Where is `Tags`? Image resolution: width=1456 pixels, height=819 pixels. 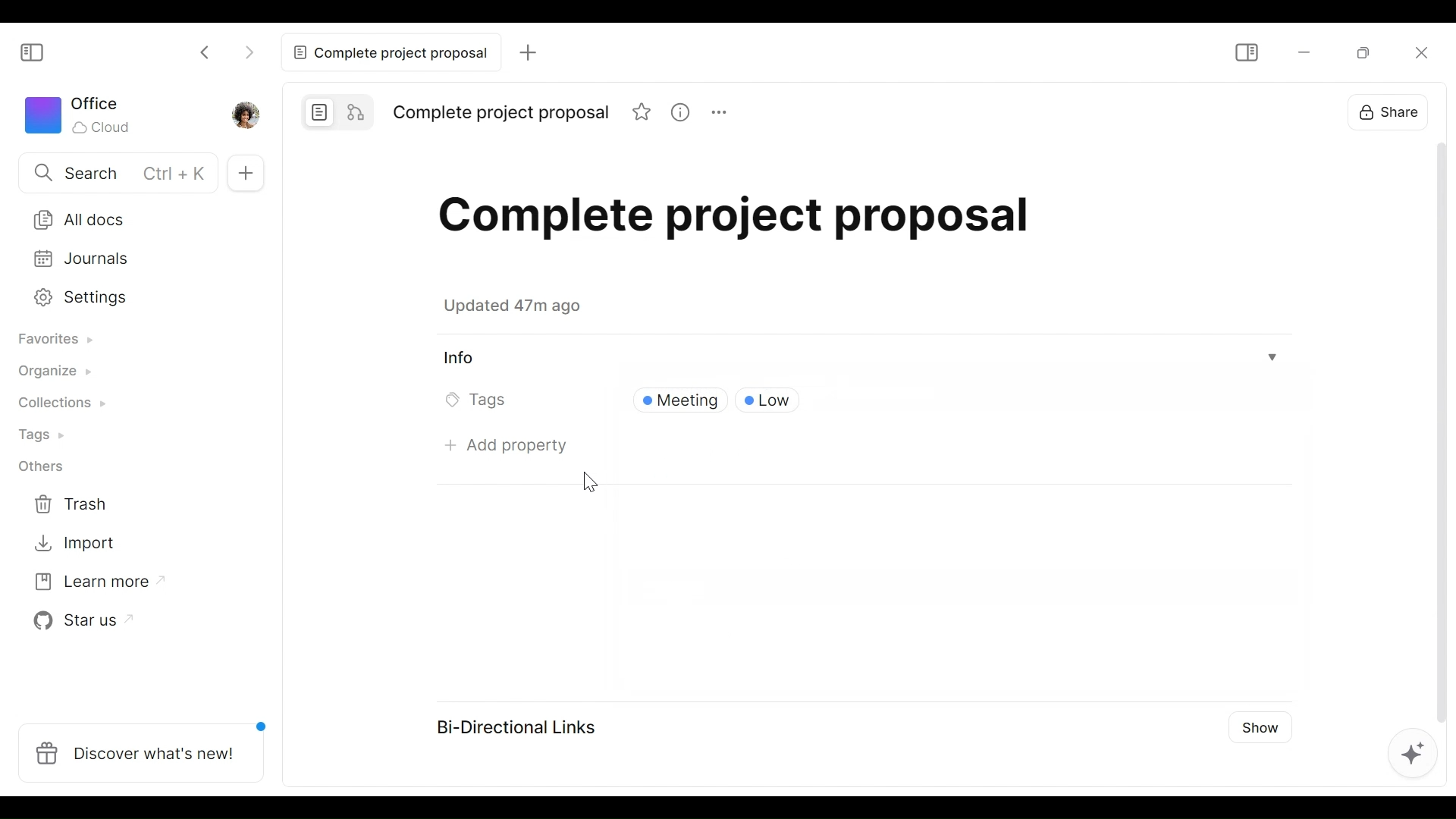
Tags is located at coordinates (479, 402).